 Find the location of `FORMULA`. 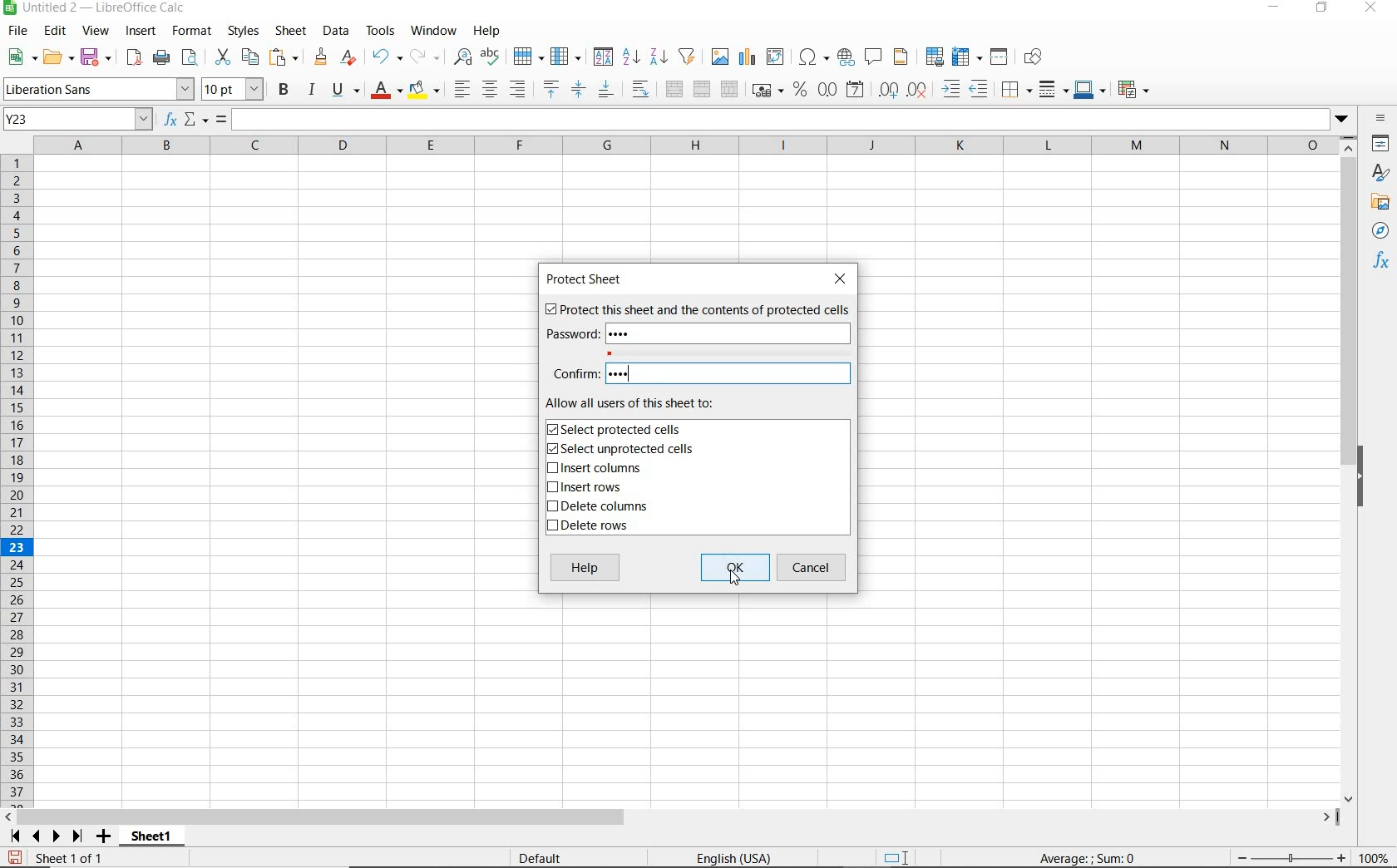

FORMULA is located at coordinates (222, 120).